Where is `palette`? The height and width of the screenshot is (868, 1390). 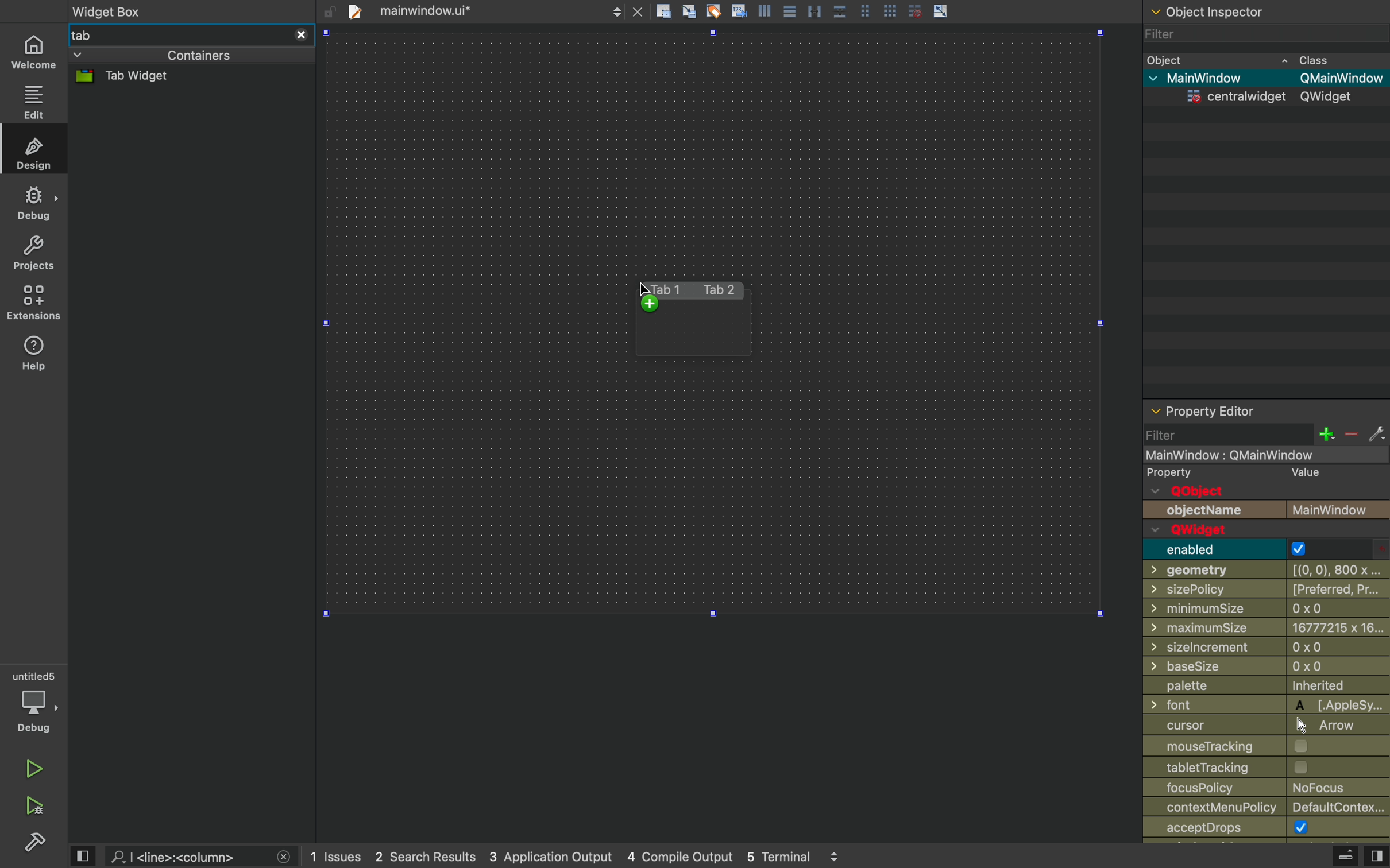
palette is located at coordinates (1262, 688).